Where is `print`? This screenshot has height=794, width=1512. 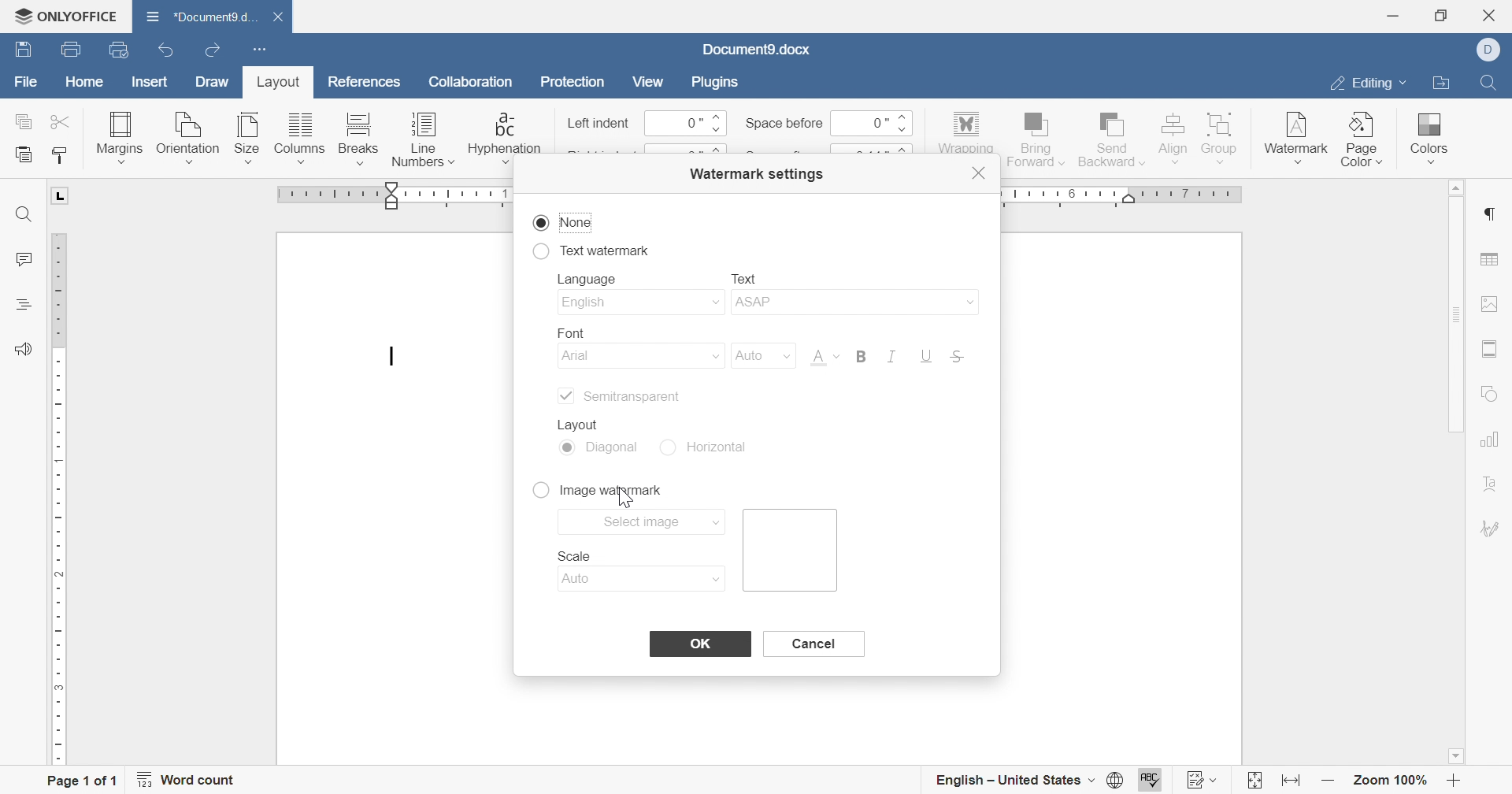 print is located at coordinates (69, 52).